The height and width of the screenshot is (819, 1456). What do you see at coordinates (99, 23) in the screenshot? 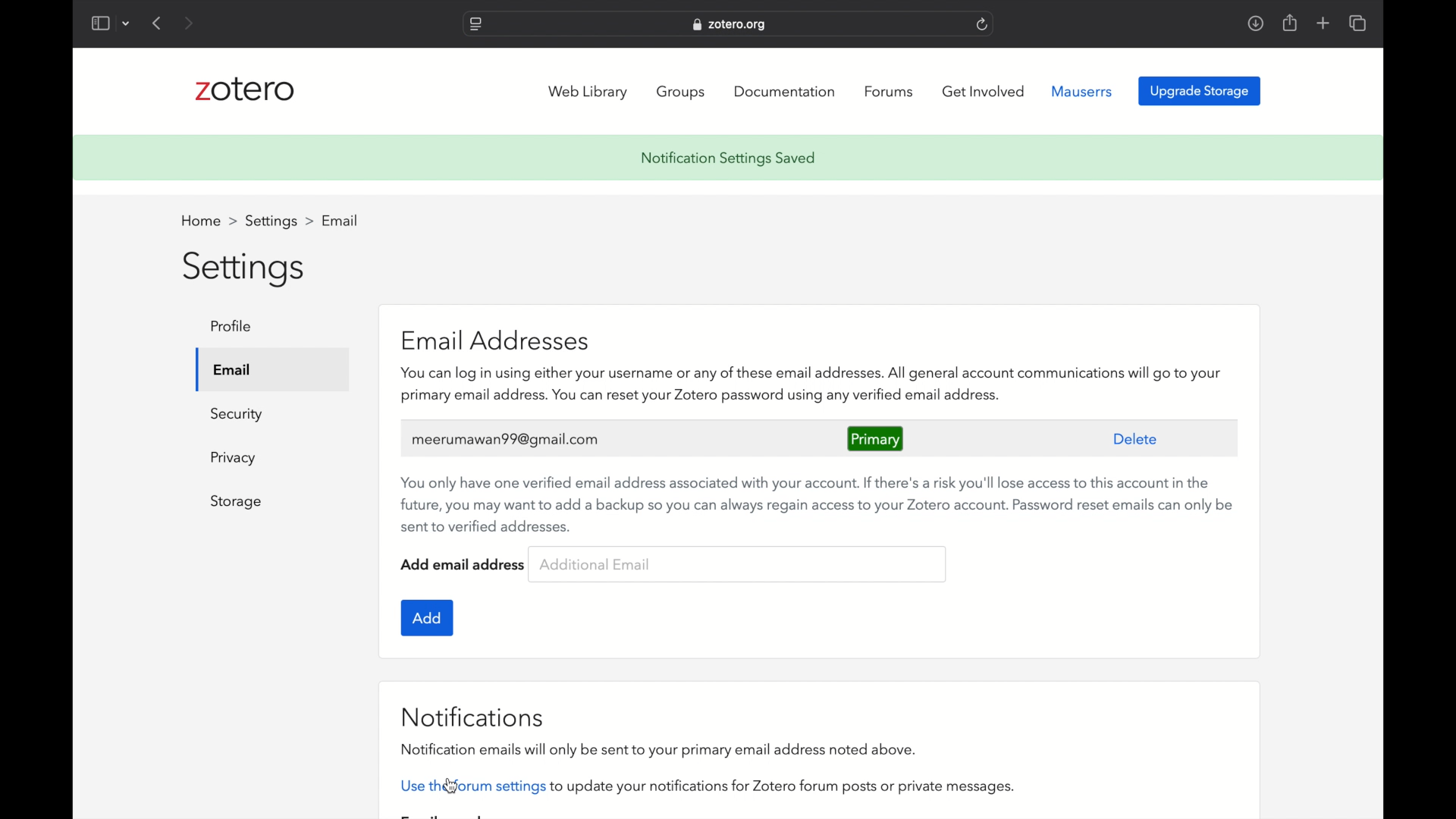
I see `show sidebar` at bounding box center [99, 23].